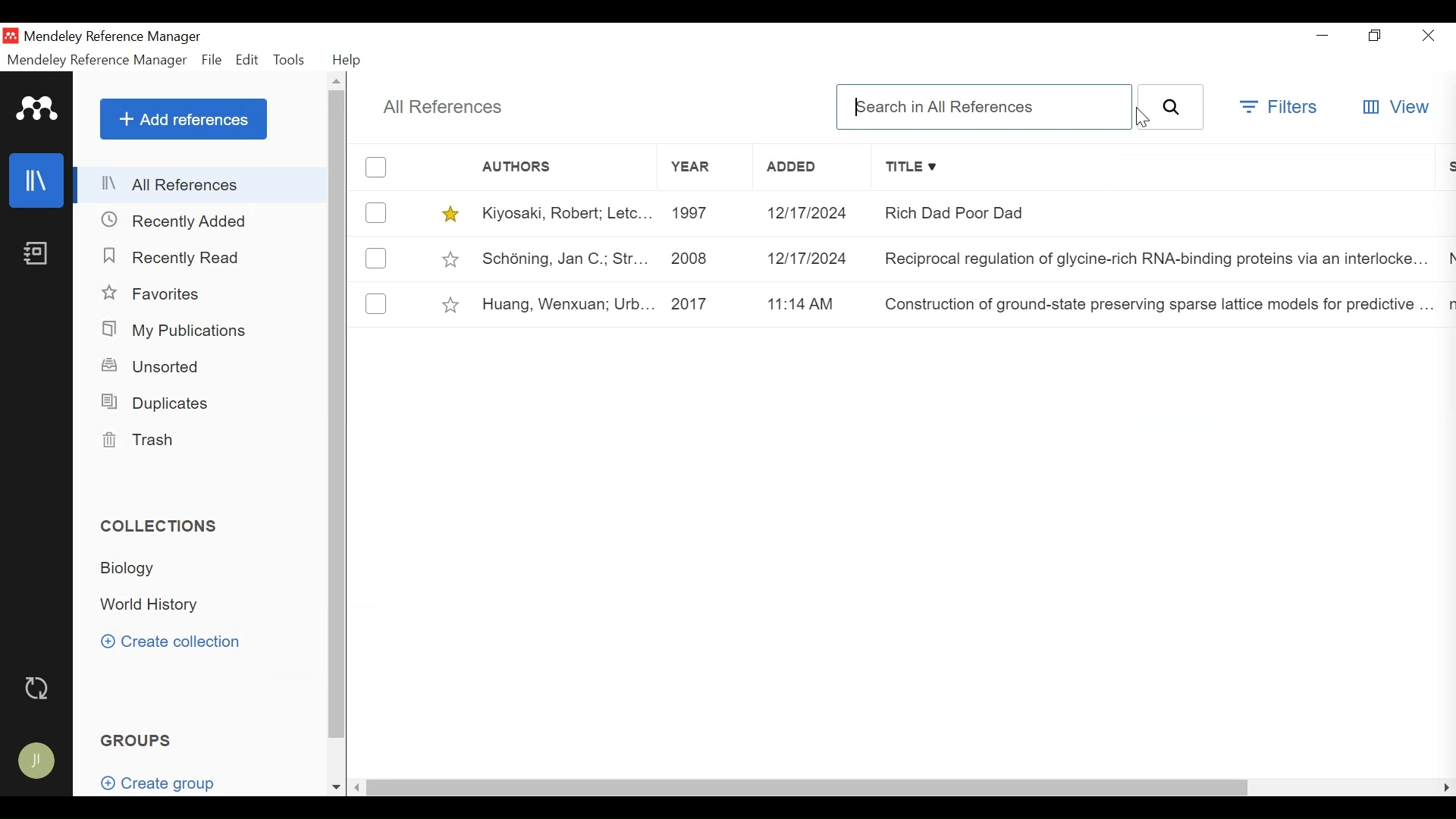 Image resolution: width=1456 pixels, height=819 pixels. I want to click on View, so click(1396, 107).